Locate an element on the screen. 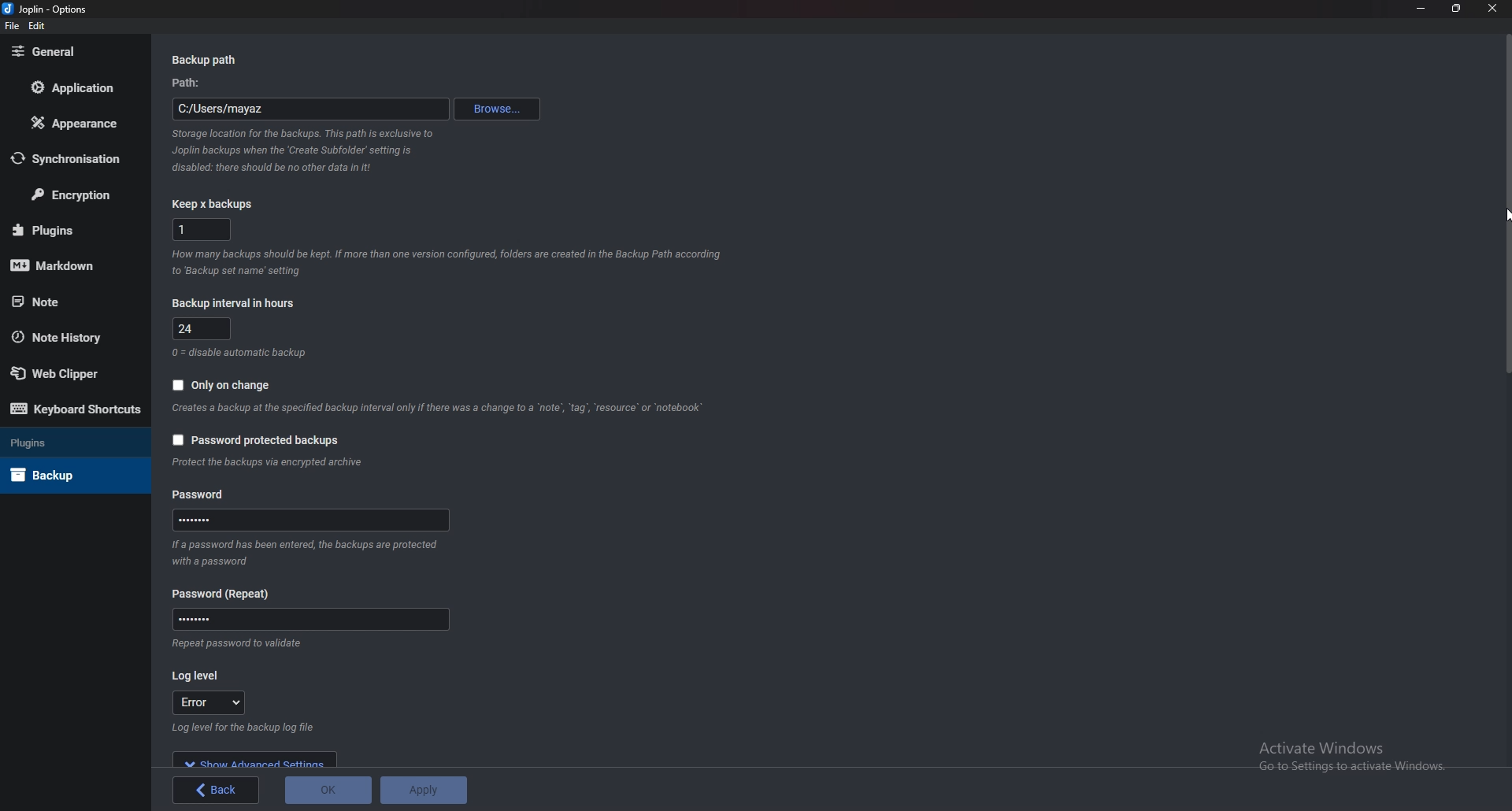 The image size is (1512, 811). password protected backups is located at coordinates (257, 440).